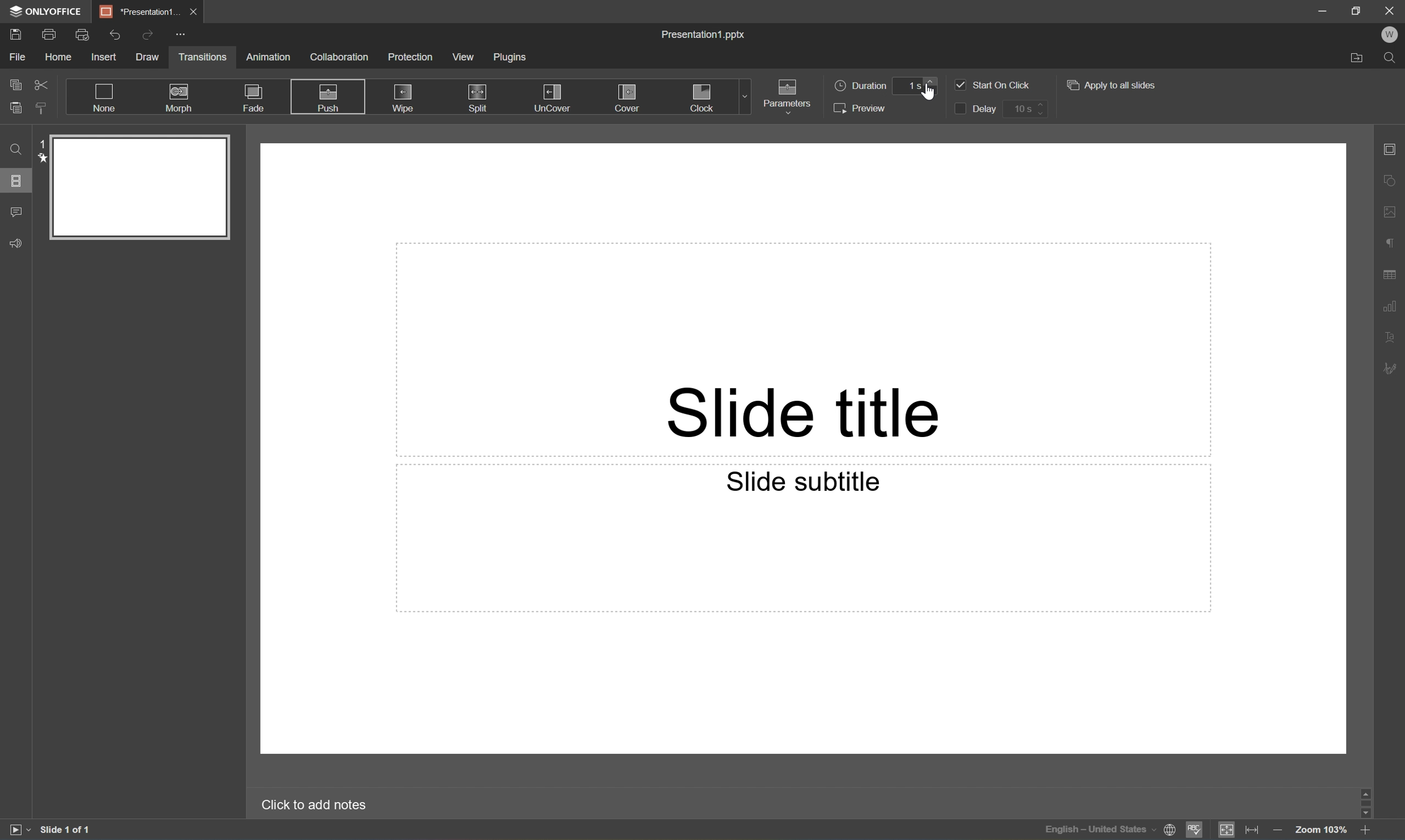 This screenshot has height=840, width=1405. Describe the element at coordinates (1389, 33) in the screenshot. I see `W` at that location.